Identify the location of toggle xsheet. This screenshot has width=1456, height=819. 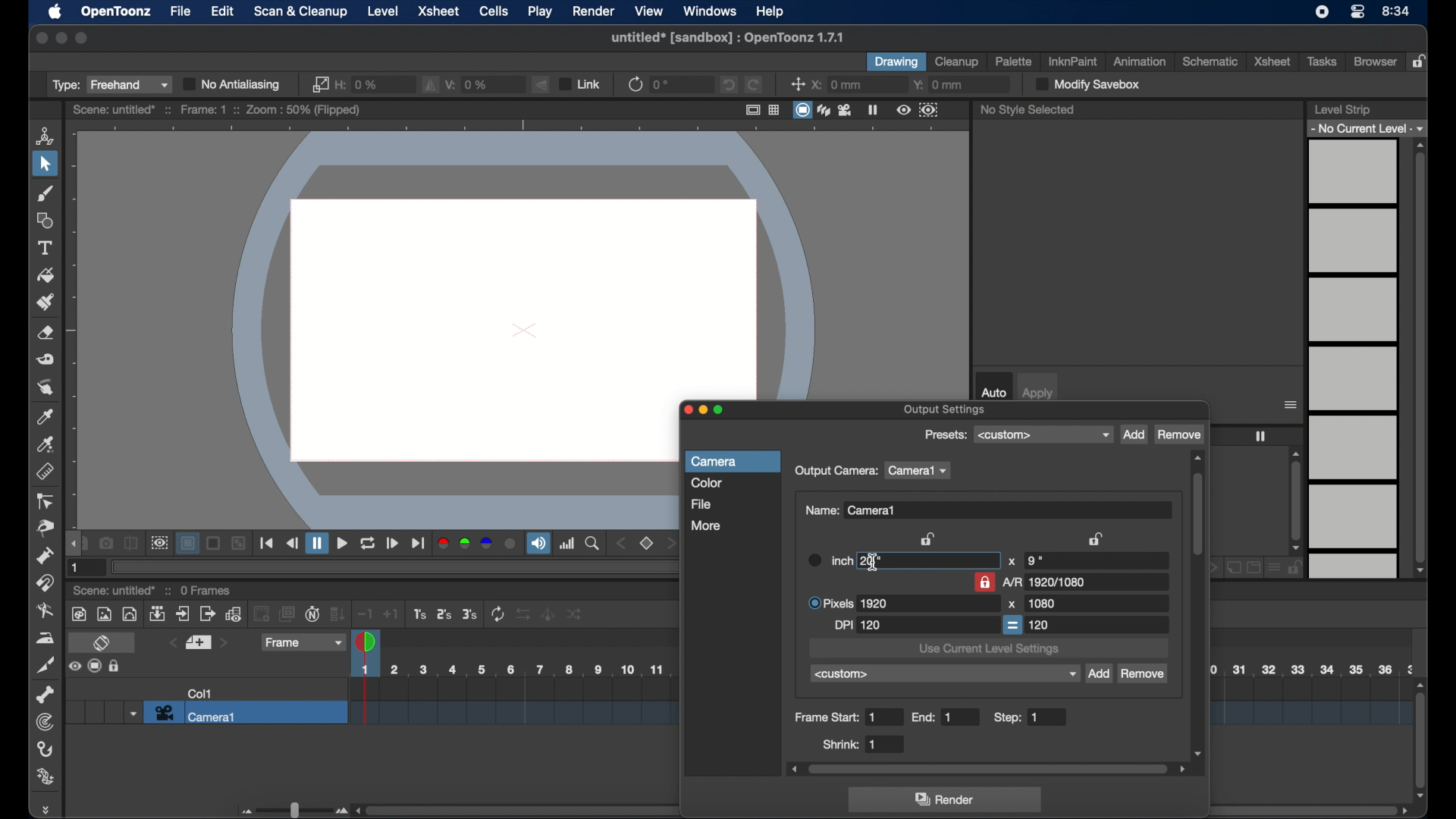
(104, 644).